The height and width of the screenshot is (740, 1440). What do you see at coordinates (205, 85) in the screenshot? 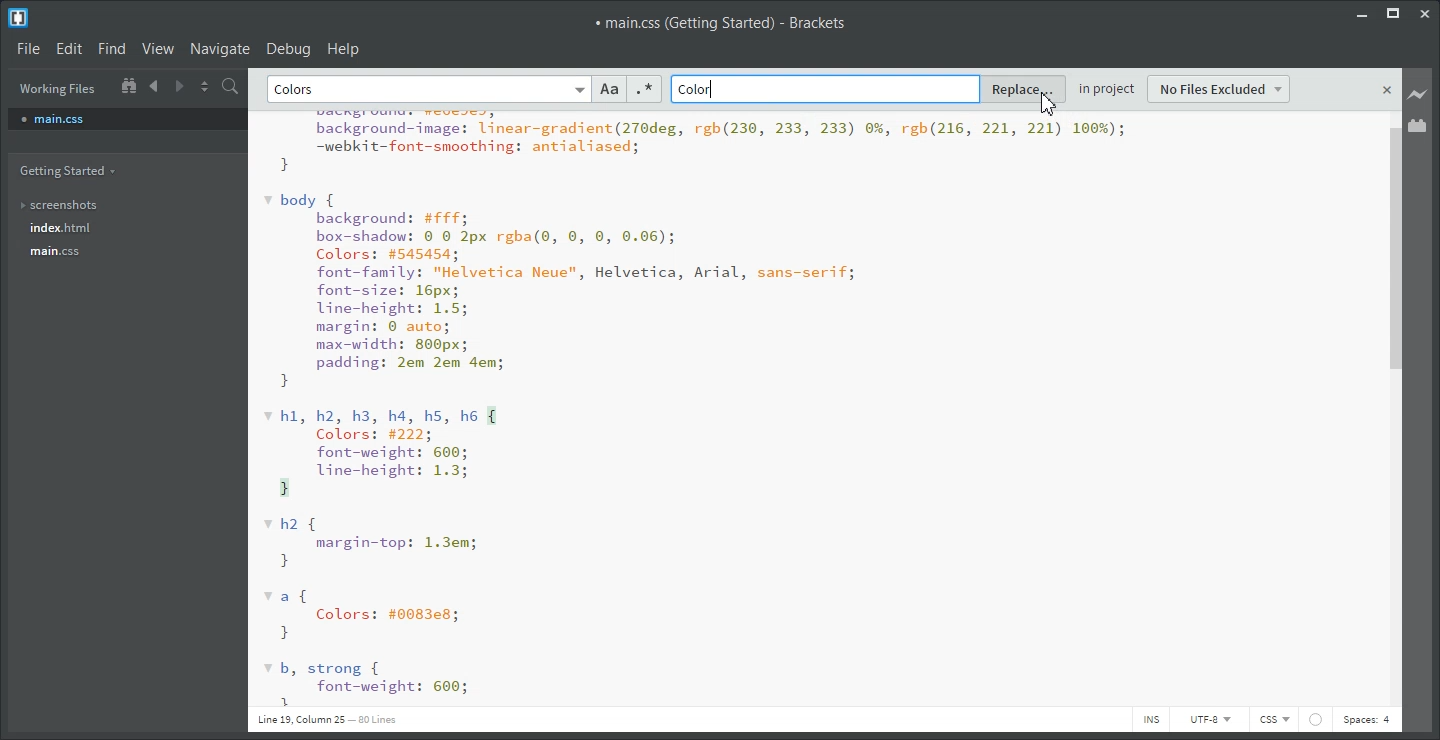
I see `Split the editor vertically and horizontally` at bounding box center [205, 85].